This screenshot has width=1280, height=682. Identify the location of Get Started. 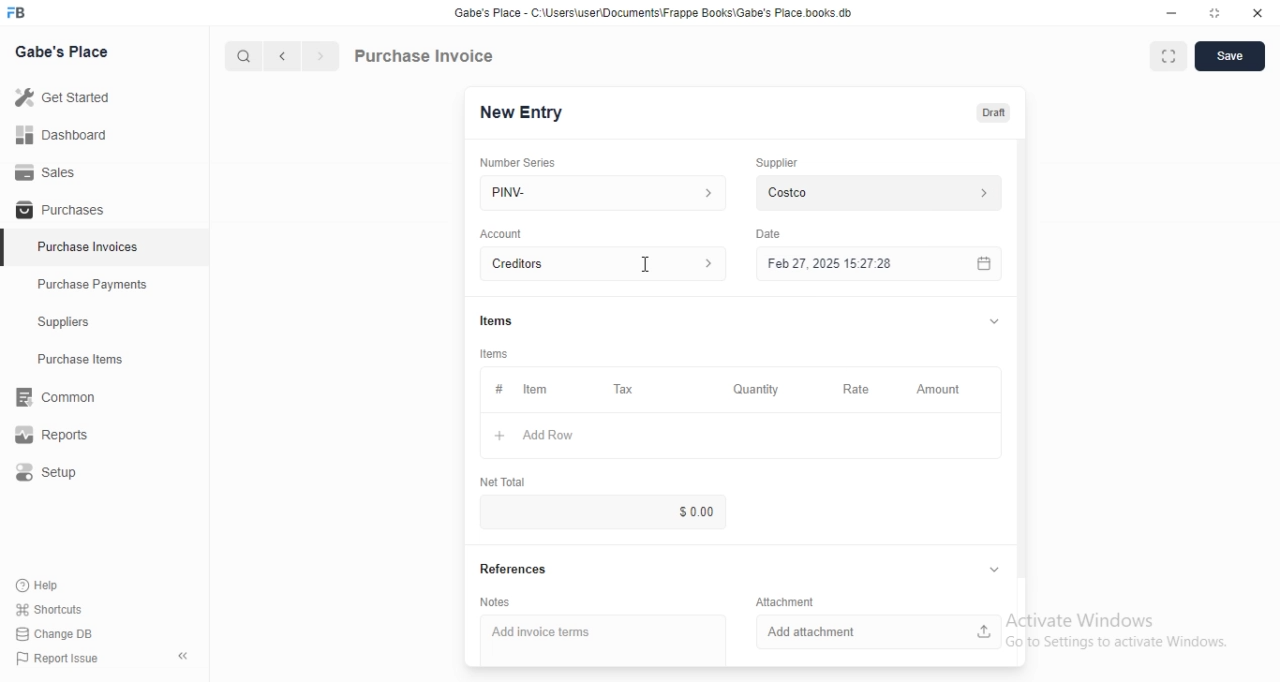
(104, 97).